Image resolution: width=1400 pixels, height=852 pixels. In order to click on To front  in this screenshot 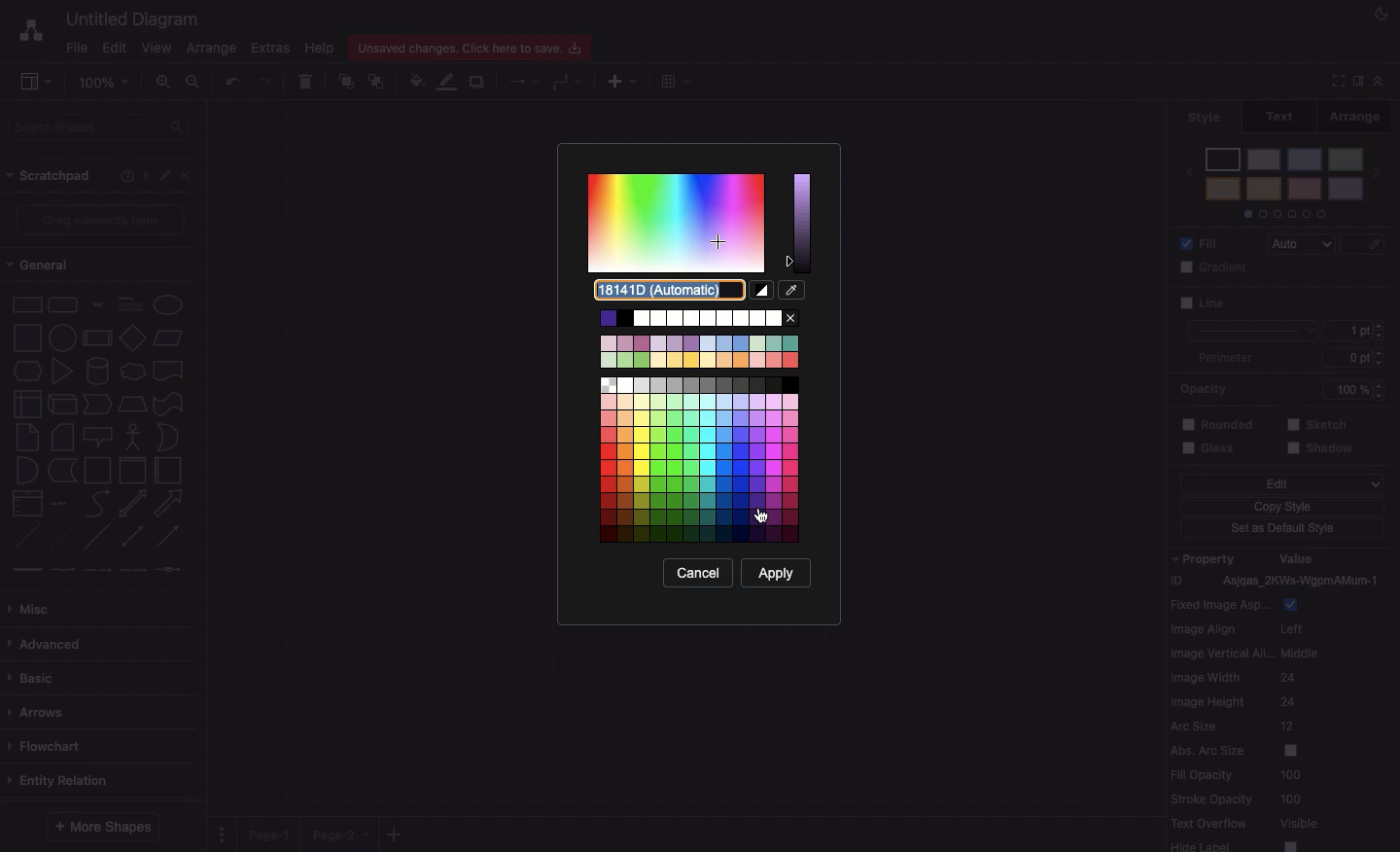, I will do `click(345, 79)`.